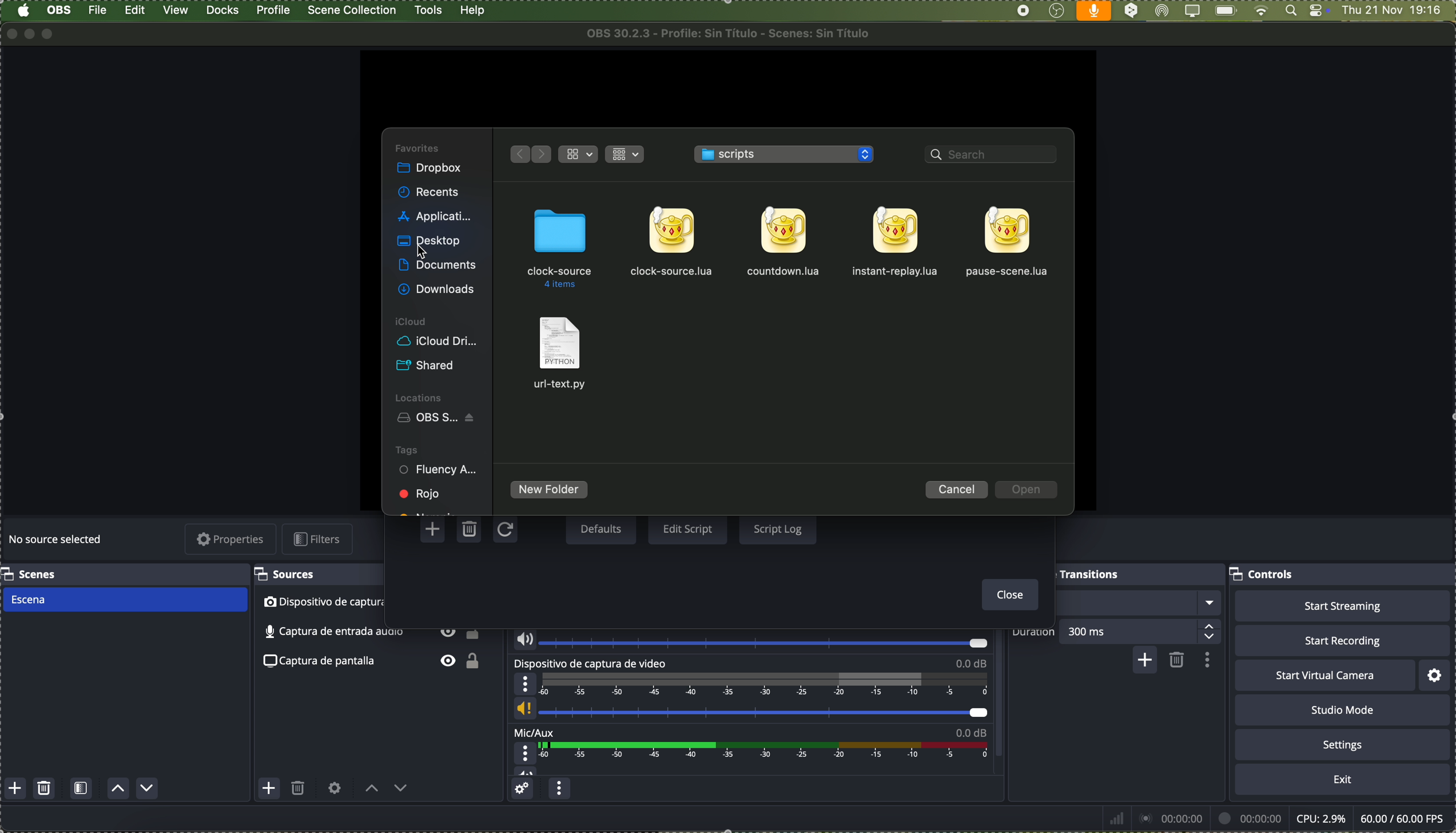 The image size is (1456, 833). Describe the element at coordinates (135, 11) in the screenshot. I see `edit` at that location.